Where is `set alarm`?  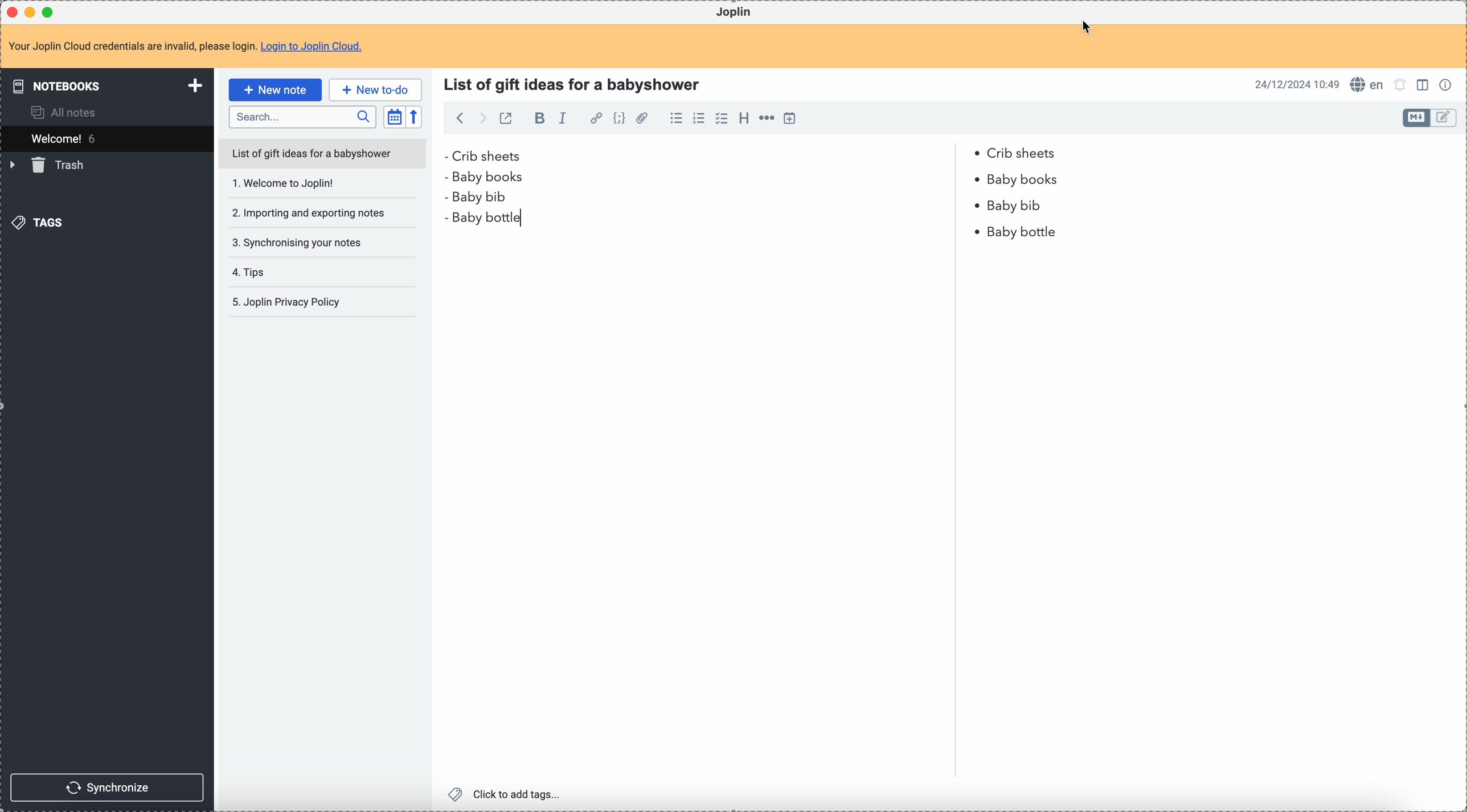
set alarm is located at coordinates (1400, 85).